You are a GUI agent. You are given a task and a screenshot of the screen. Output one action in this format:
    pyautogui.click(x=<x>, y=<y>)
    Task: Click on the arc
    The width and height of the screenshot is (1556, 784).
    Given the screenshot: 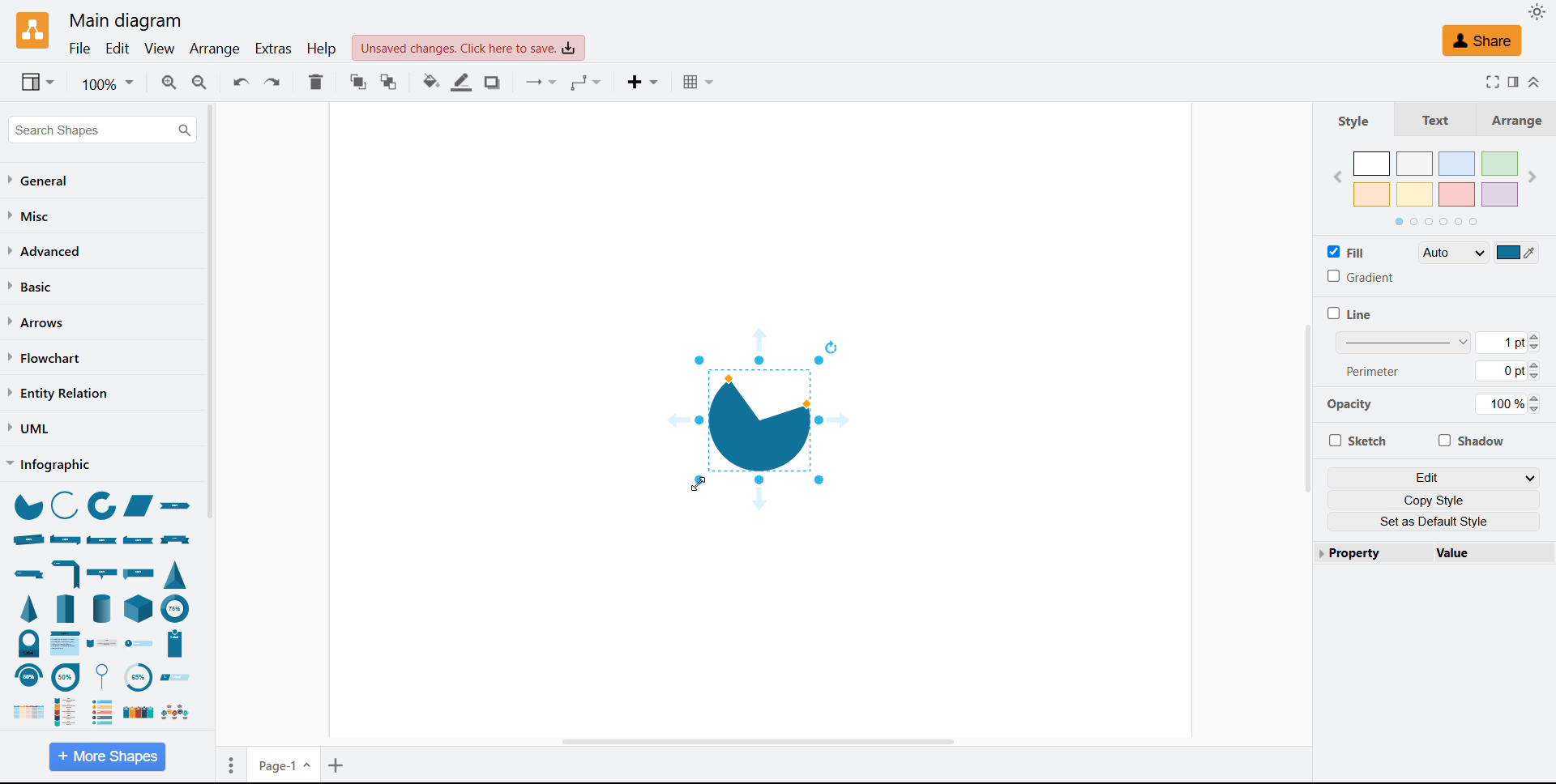 What is the action you would take?
    pyautogui.click(x=64, y=504)
    